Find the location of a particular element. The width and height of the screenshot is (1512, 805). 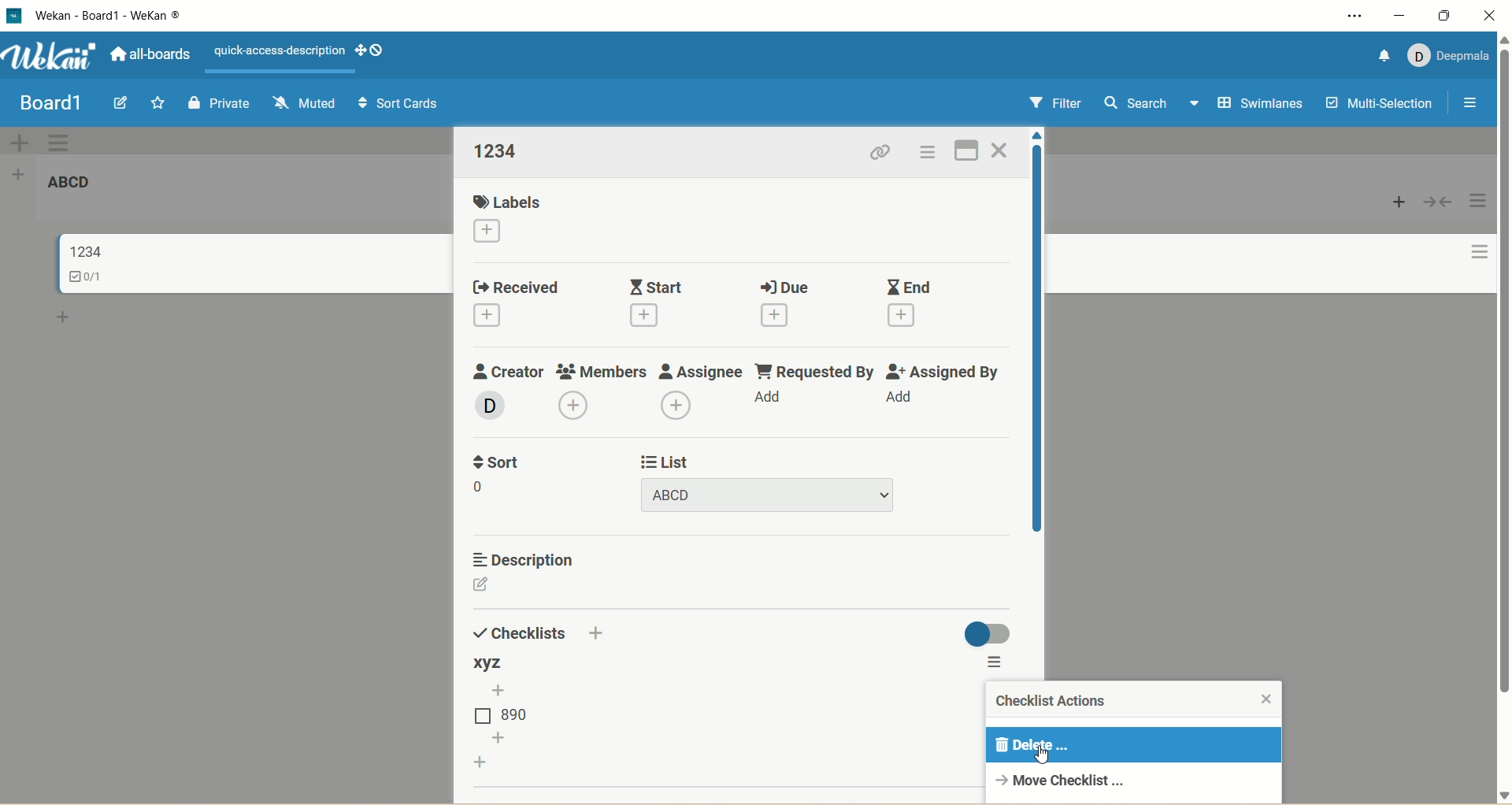

assignee is located at coordinates (707, 369).